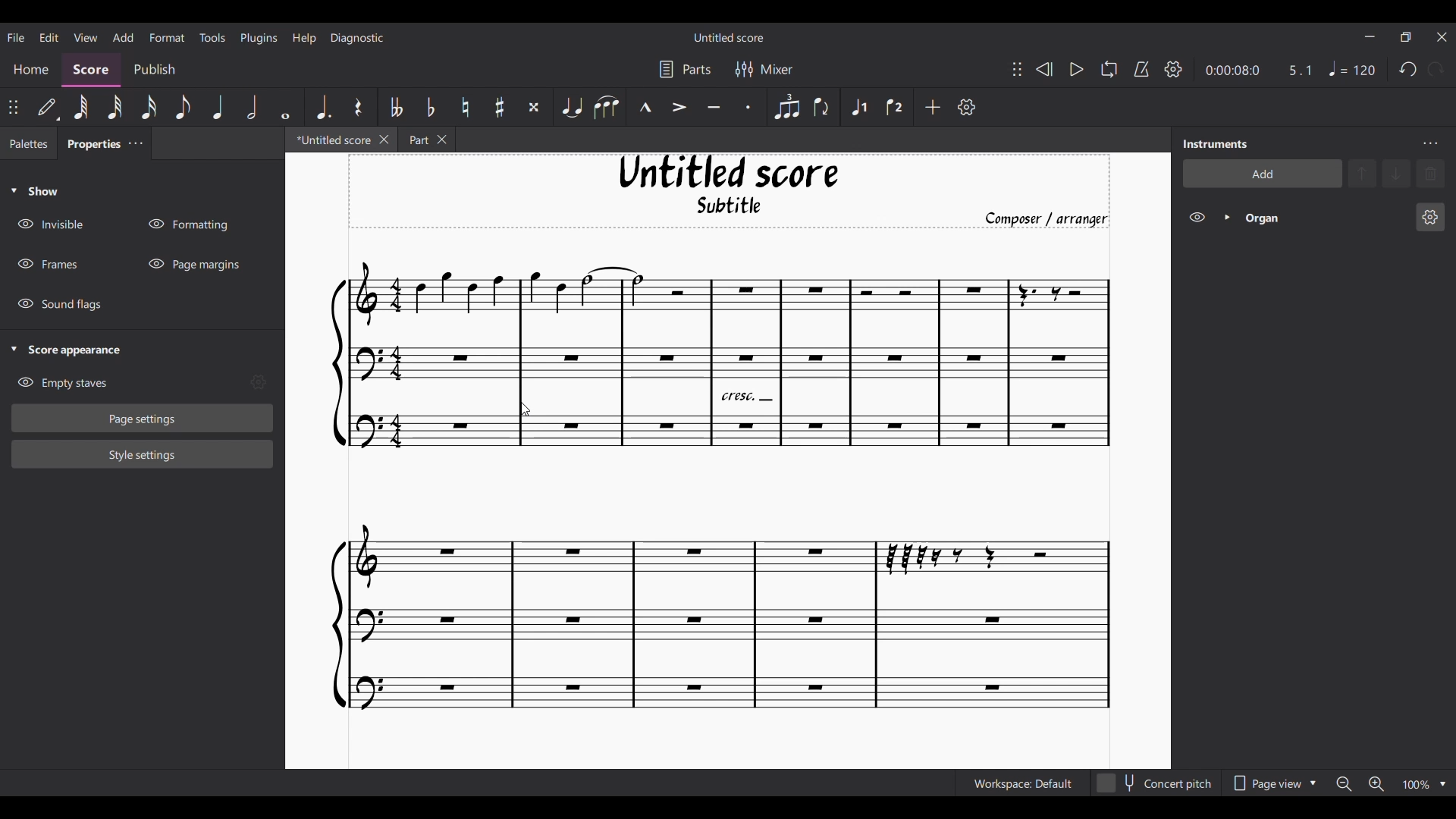  Describe the element at coordinates (721, 488) in the screenshot. I see `Current score` at that location.